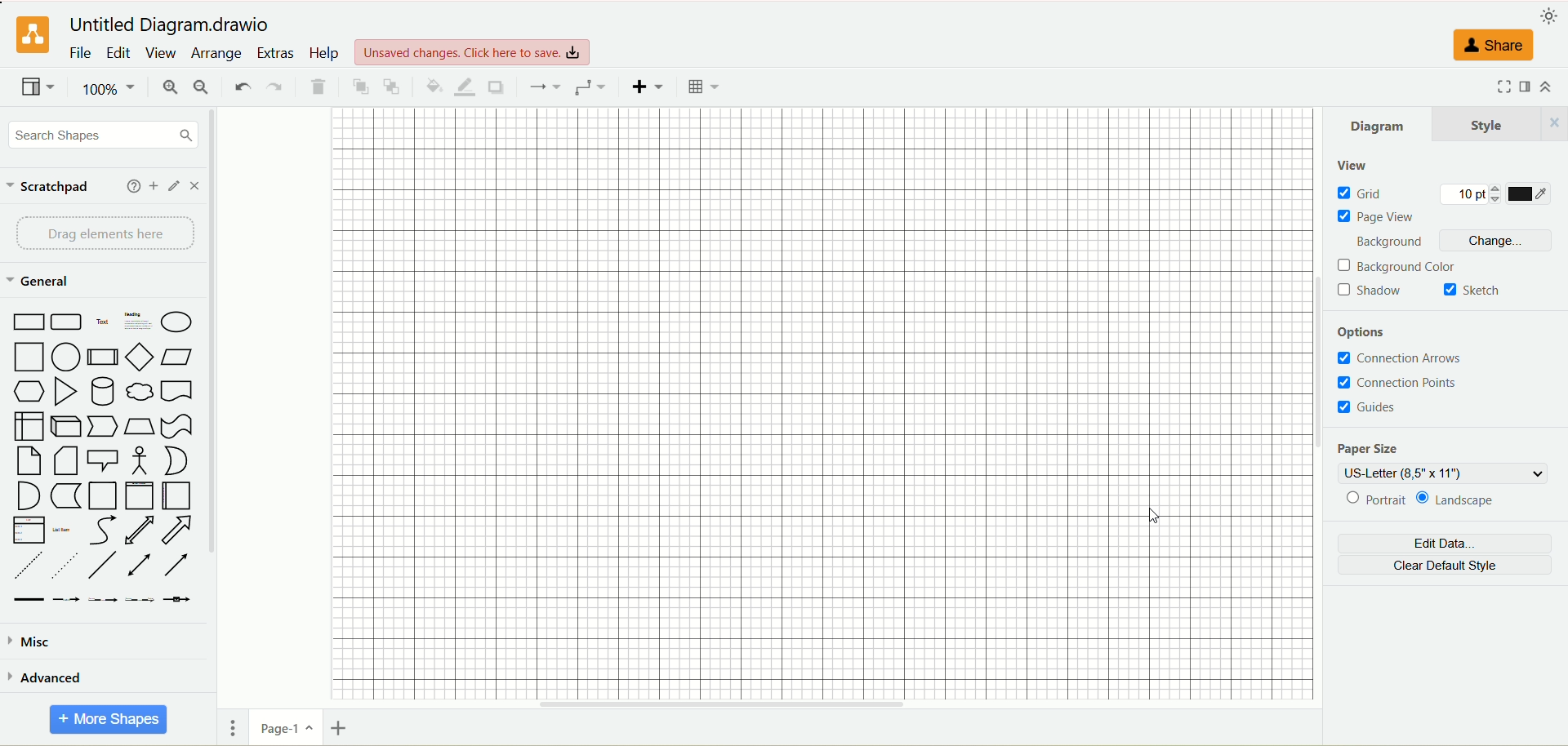  I want to click on change, so click(1497, 241).